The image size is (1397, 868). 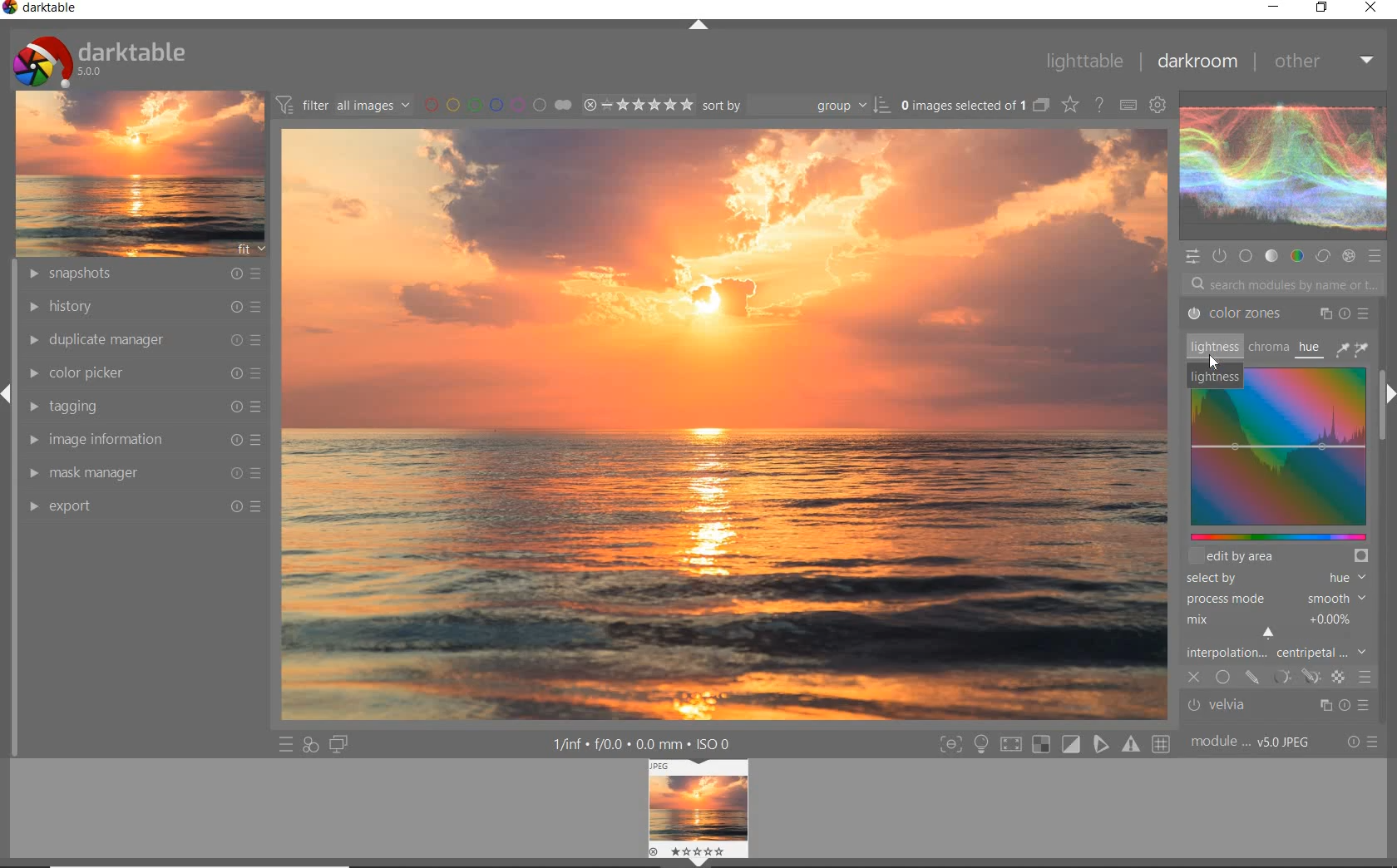 I want to click on SORT, so click(x=795, y=106).